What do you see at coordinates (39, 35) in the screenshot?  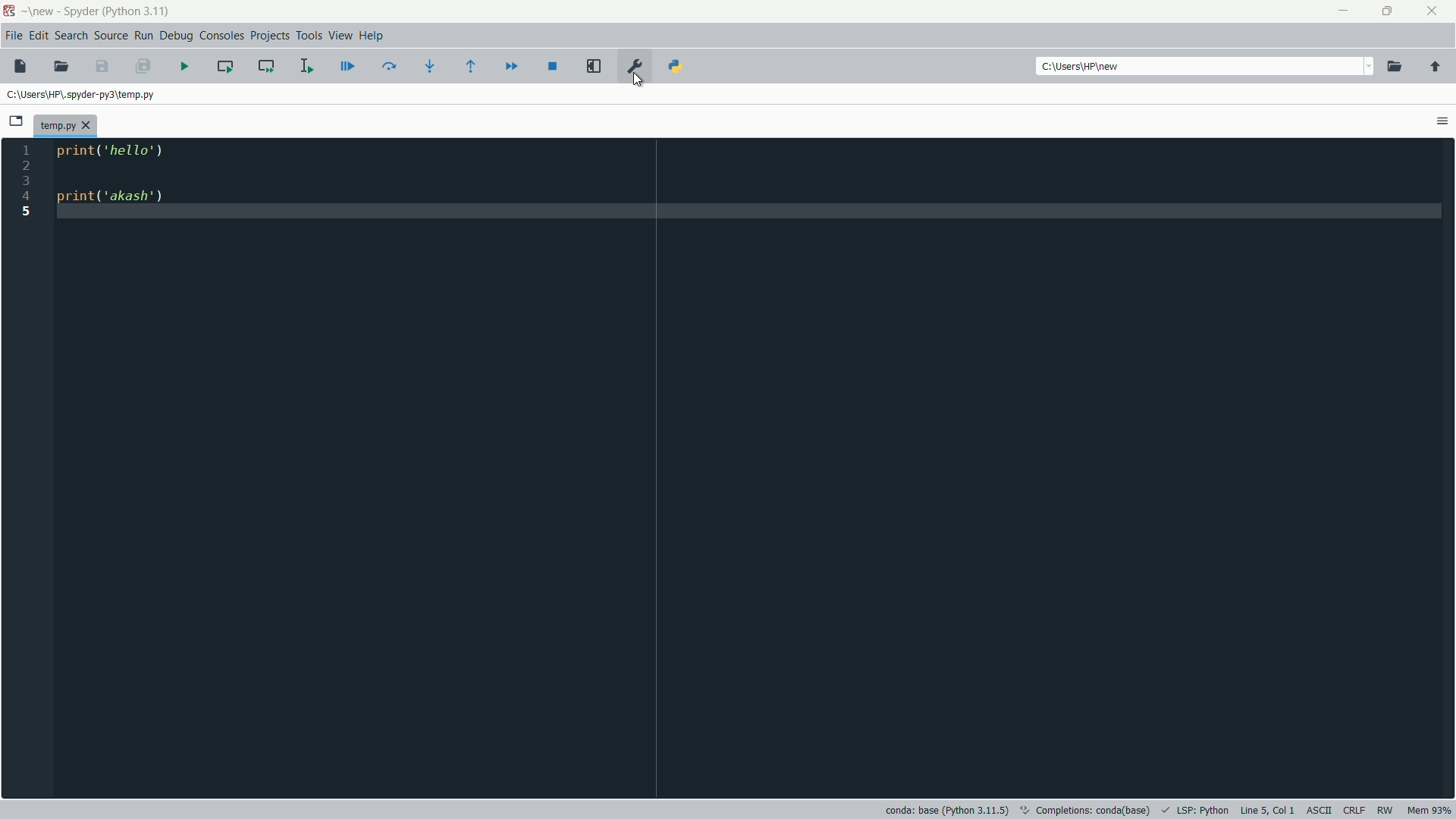 I see `edit menu` at bounding box center [39, 35].